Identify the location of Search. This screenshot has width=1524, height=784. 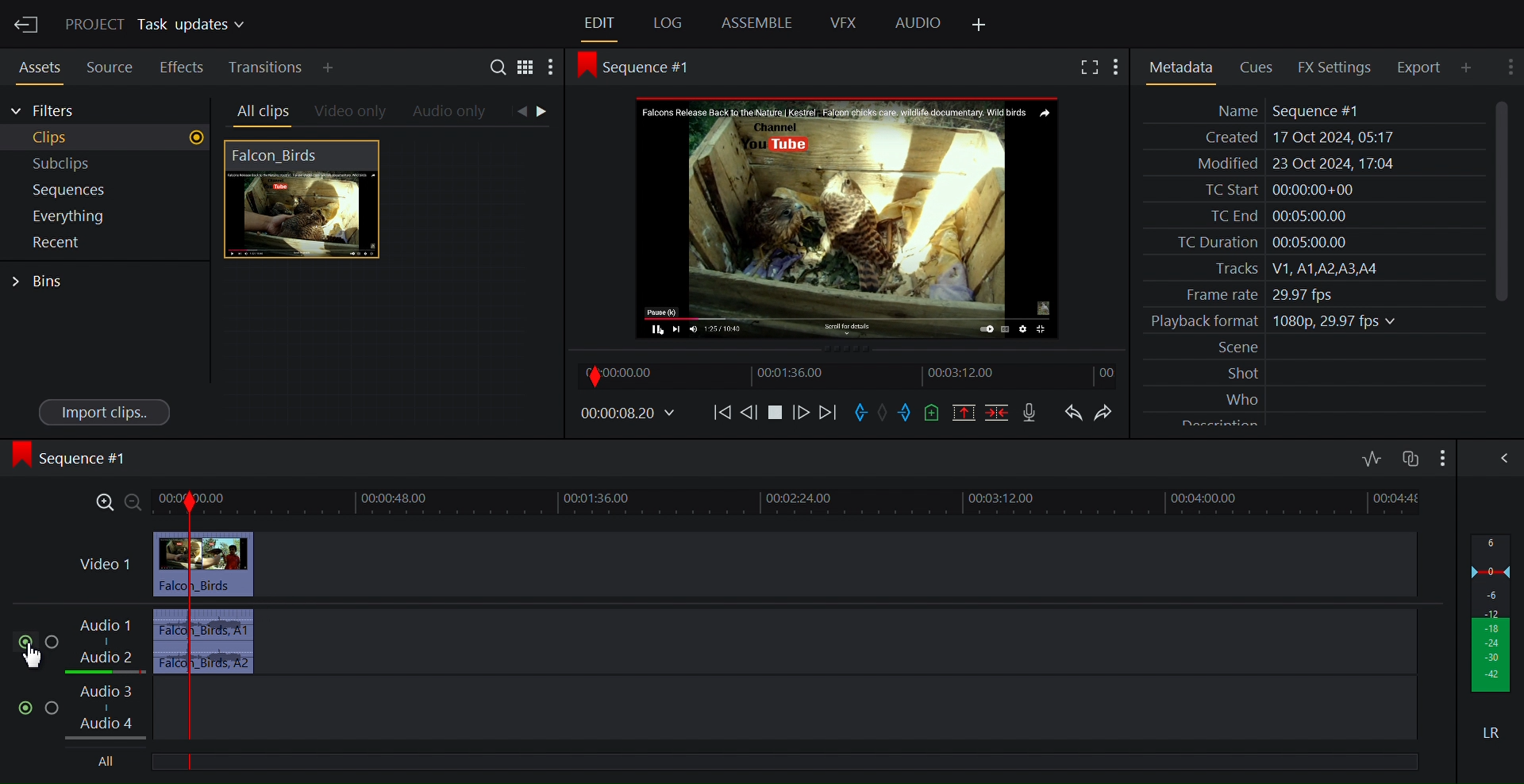
(501, 69).